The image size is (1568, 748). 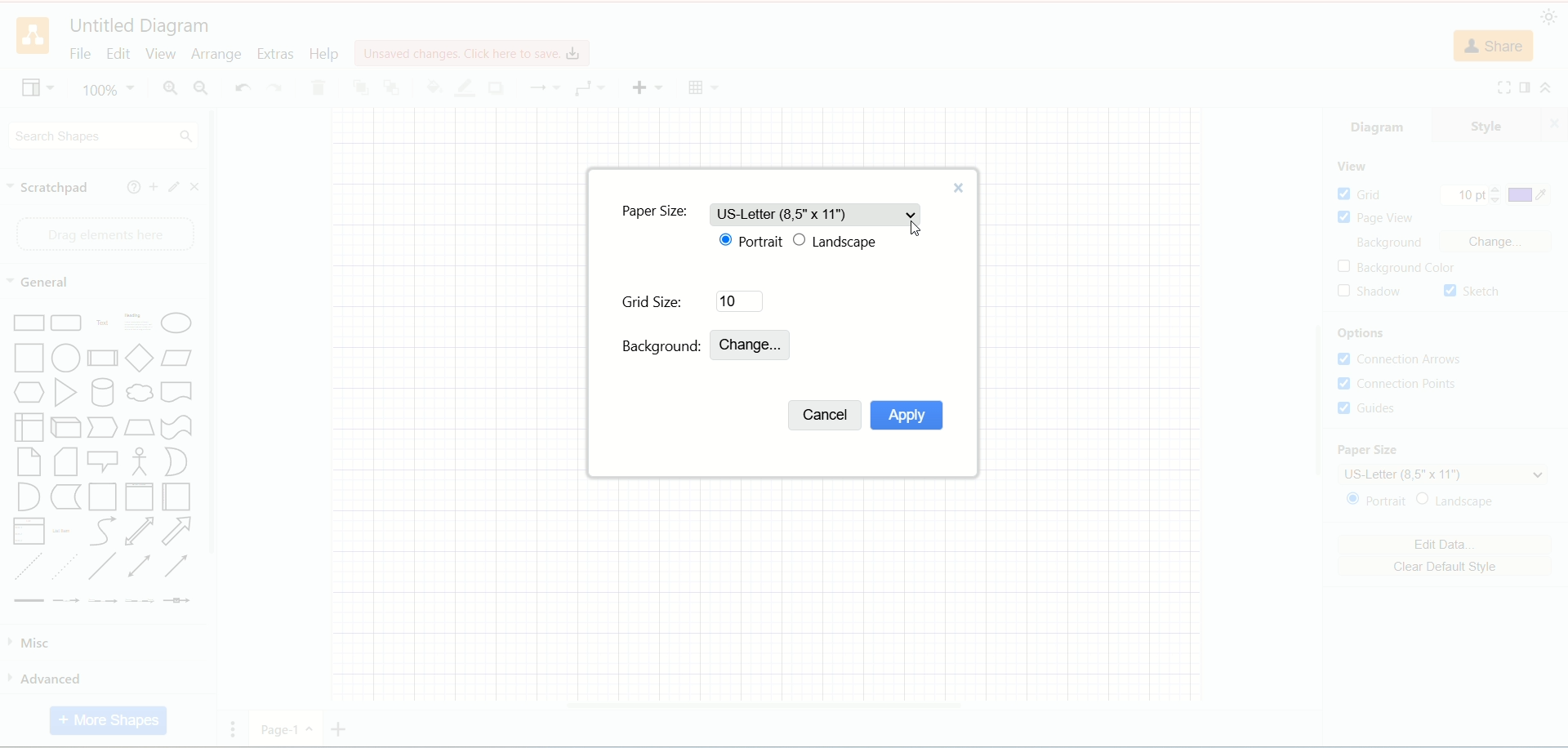 What do you see at coordinates (1371, 335) in the screenshot?
I see `options` at bounding box center [1371, 335].